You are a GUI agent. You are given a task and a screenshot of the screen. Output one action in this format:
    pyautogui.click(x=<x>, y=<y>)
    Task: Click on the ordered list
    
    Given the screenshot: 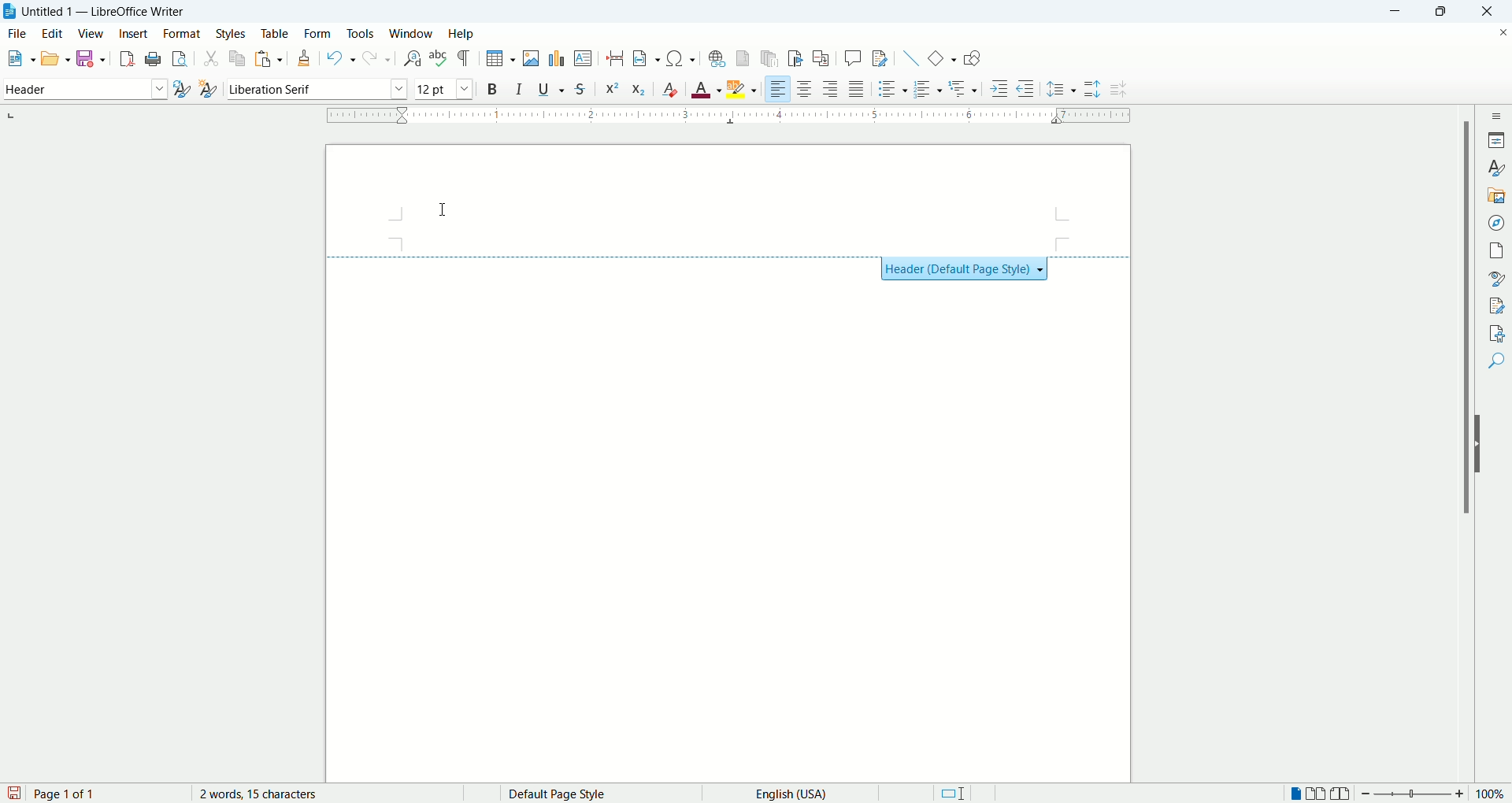 What is the action you would take?
    pyautogui.click(x=927, y=89)
    